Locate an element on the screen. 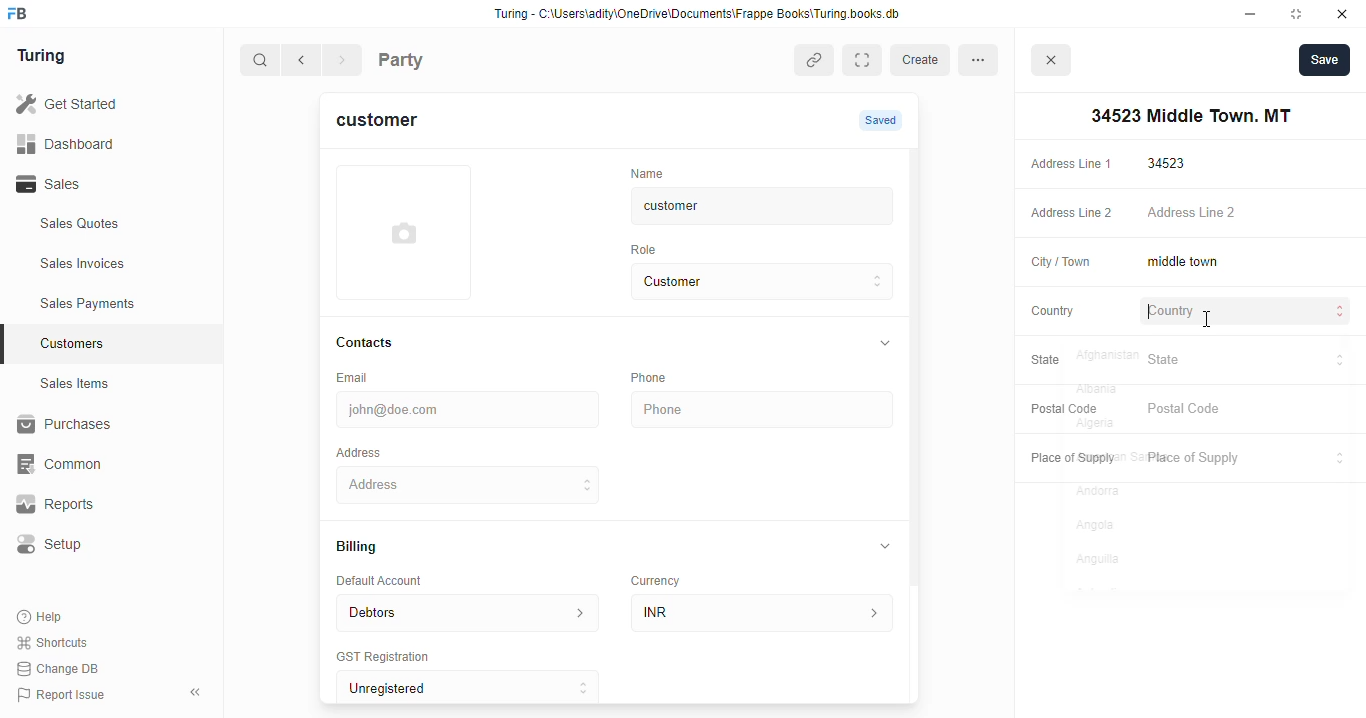 Image resolution: width=1366 pixels, height=718 pixels. customer is located at coordinates (389, 123).